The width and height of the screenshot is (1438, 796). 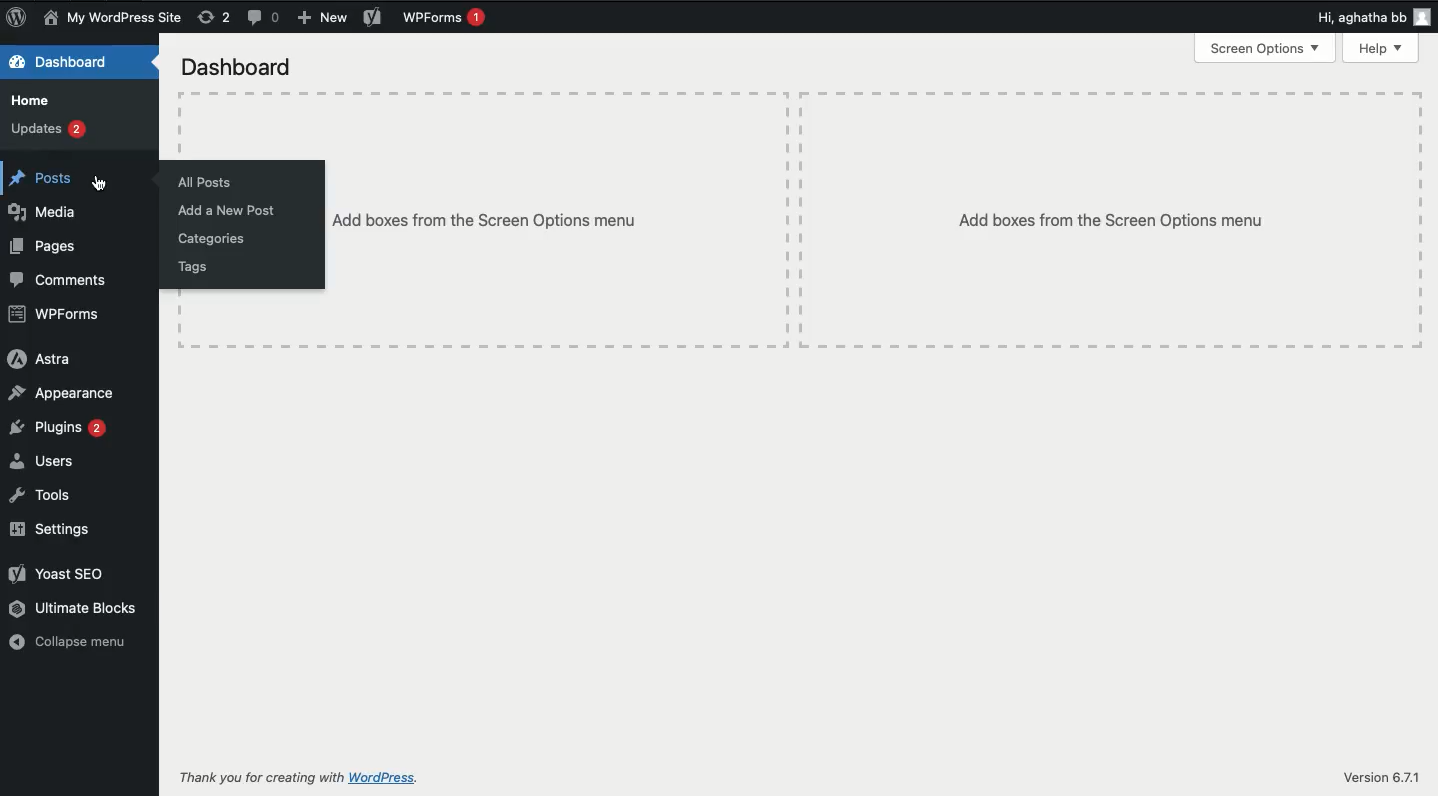 What do you see at coordinates (384, 778) in the screenshot?
I see `wordpress` at bounding box center [384, 778].